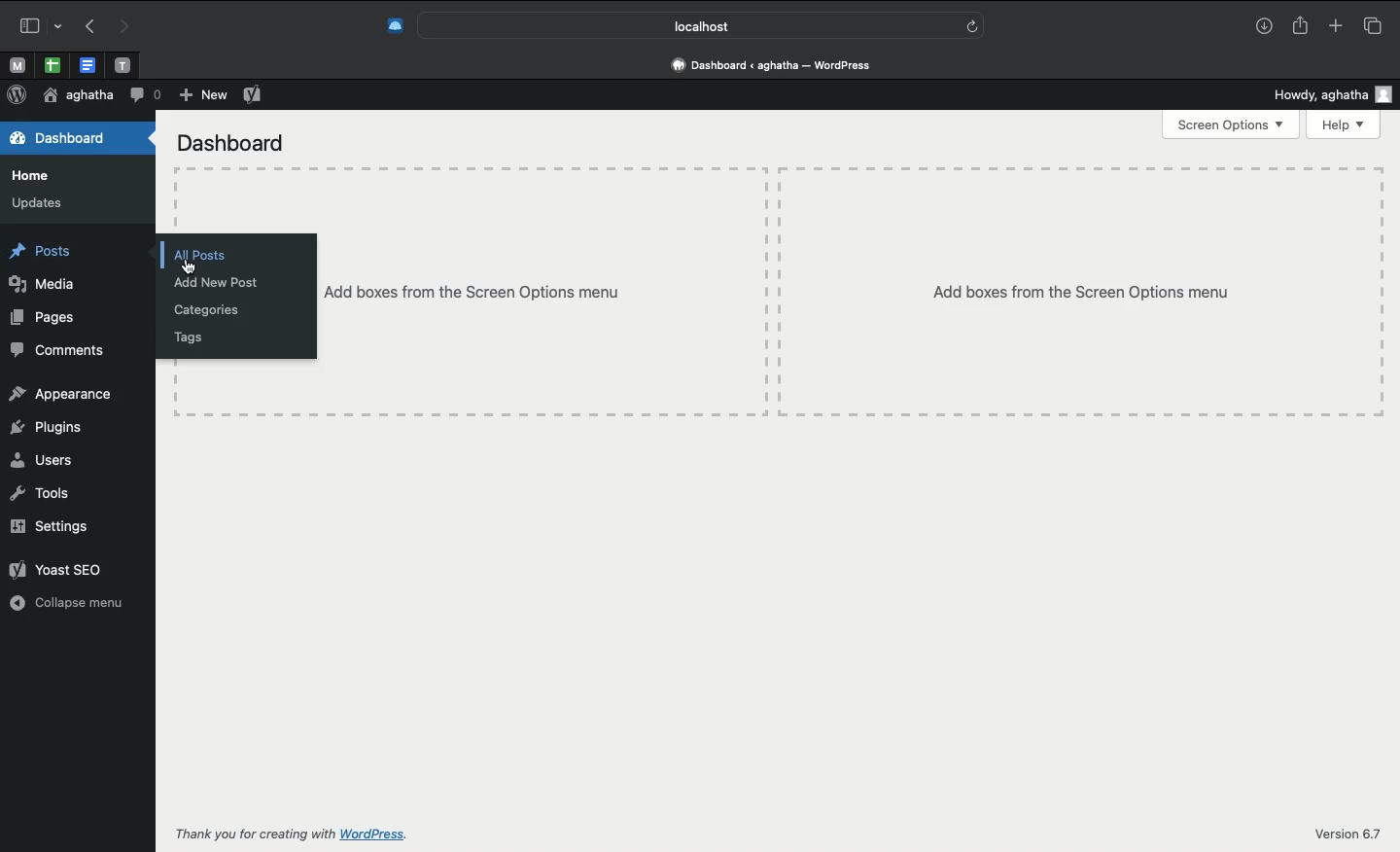 The width and height of the screenshot is (1400, 852). What do you see at coordinates (1347, 832) in the screenshot?
I see `Version 6.7` at bounding box center [1347, 832].